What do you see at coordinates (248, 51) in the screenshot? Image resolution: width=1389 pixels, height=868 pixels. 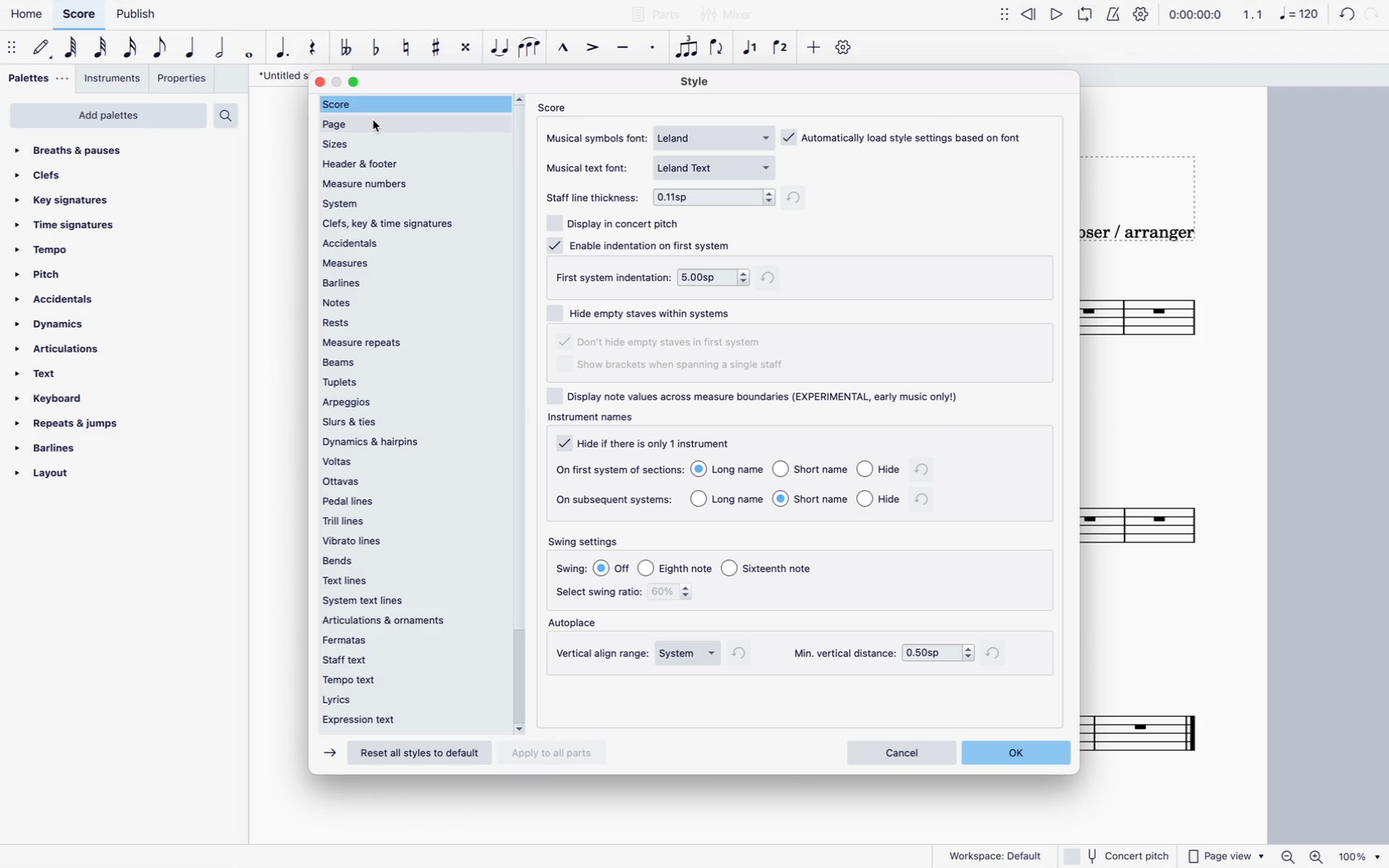 I see `full note` at bounding box center [248, 51].